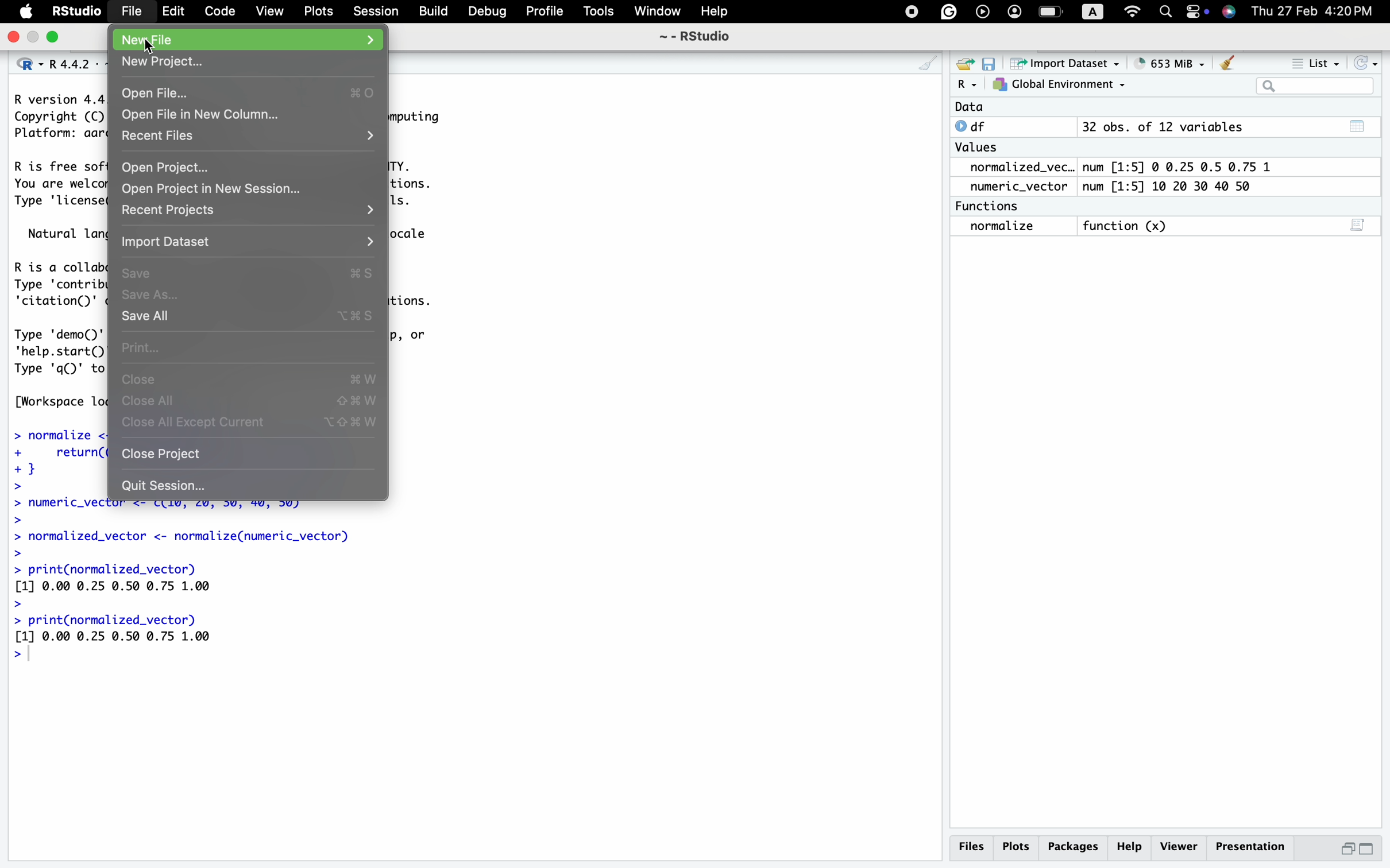  I want to click on Debug, so click(488, 12).